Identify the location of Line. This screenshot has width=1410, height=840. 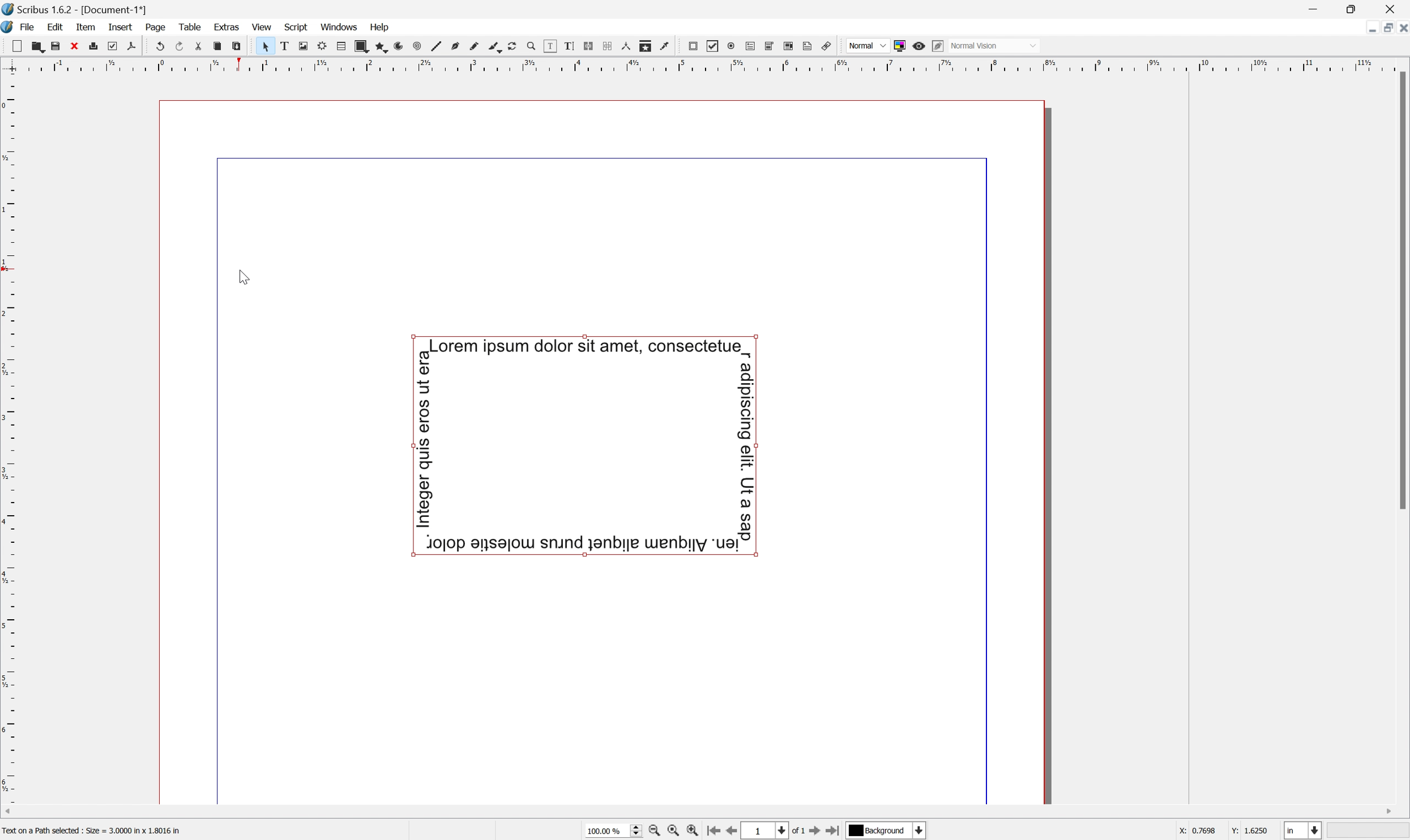
(434, 46).